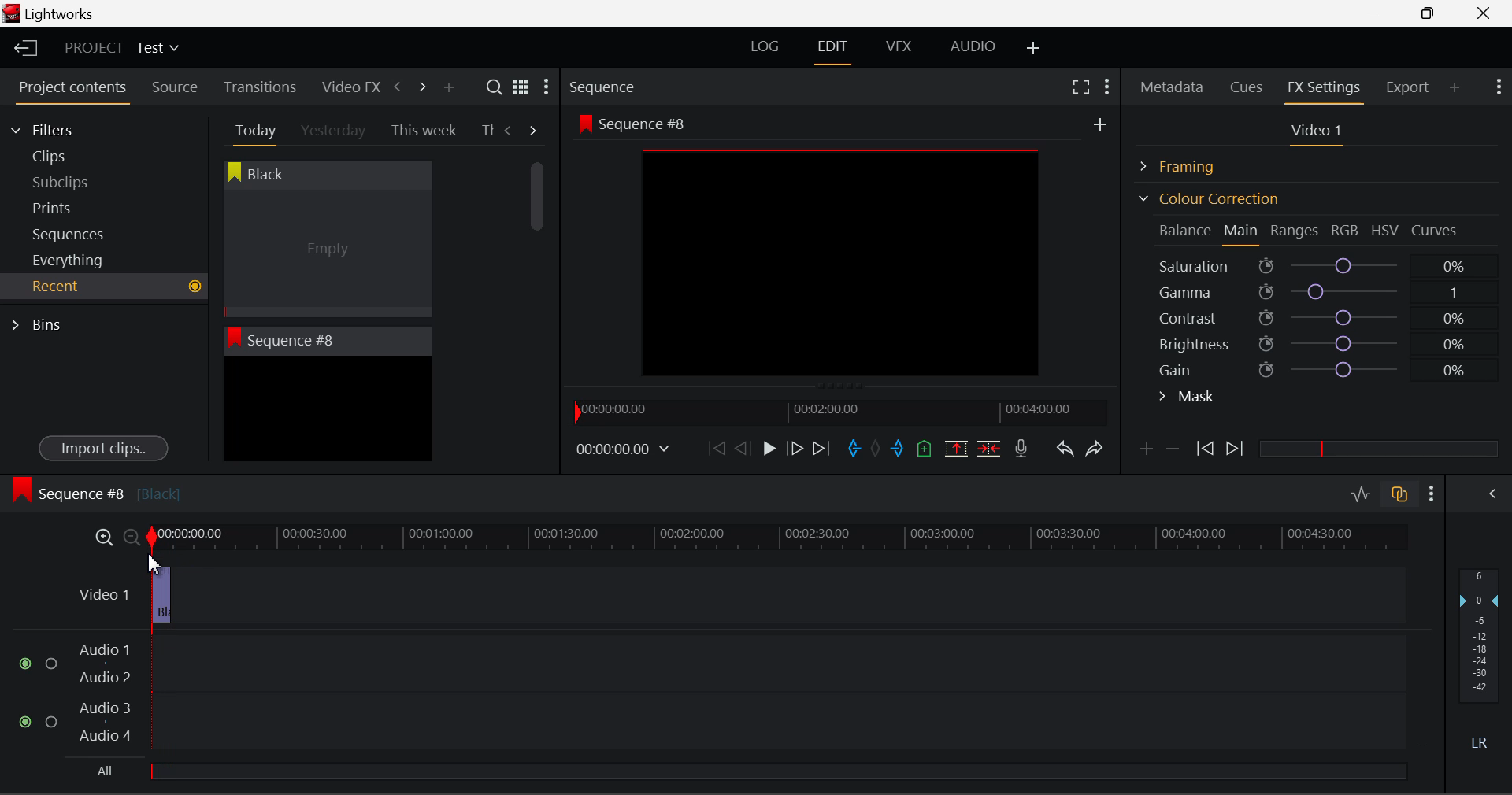  Describe the element at coordinates (624, 450) in the screenshot. I see `Frame Time` at that location.